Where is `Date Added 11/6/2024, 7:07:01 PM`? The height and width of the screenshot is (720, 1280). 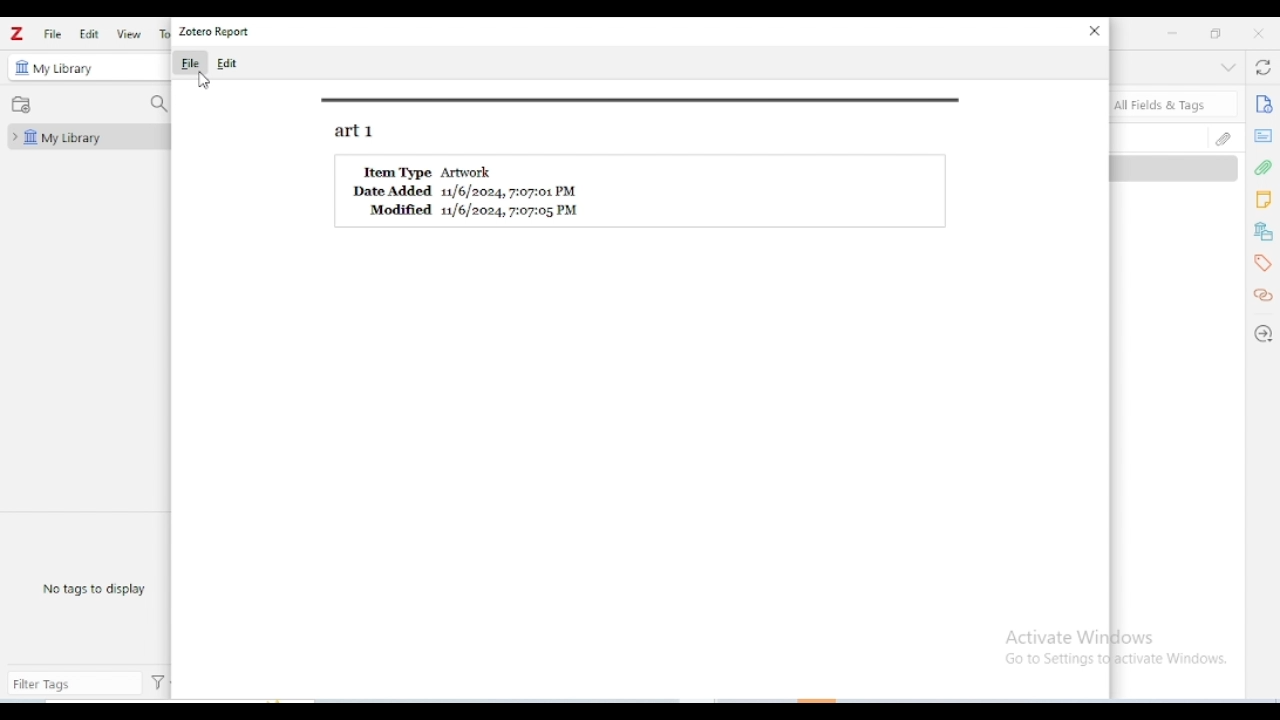 Date Added 11/6/2024, 7:07:01 PM is located at coordinates (467, 192).